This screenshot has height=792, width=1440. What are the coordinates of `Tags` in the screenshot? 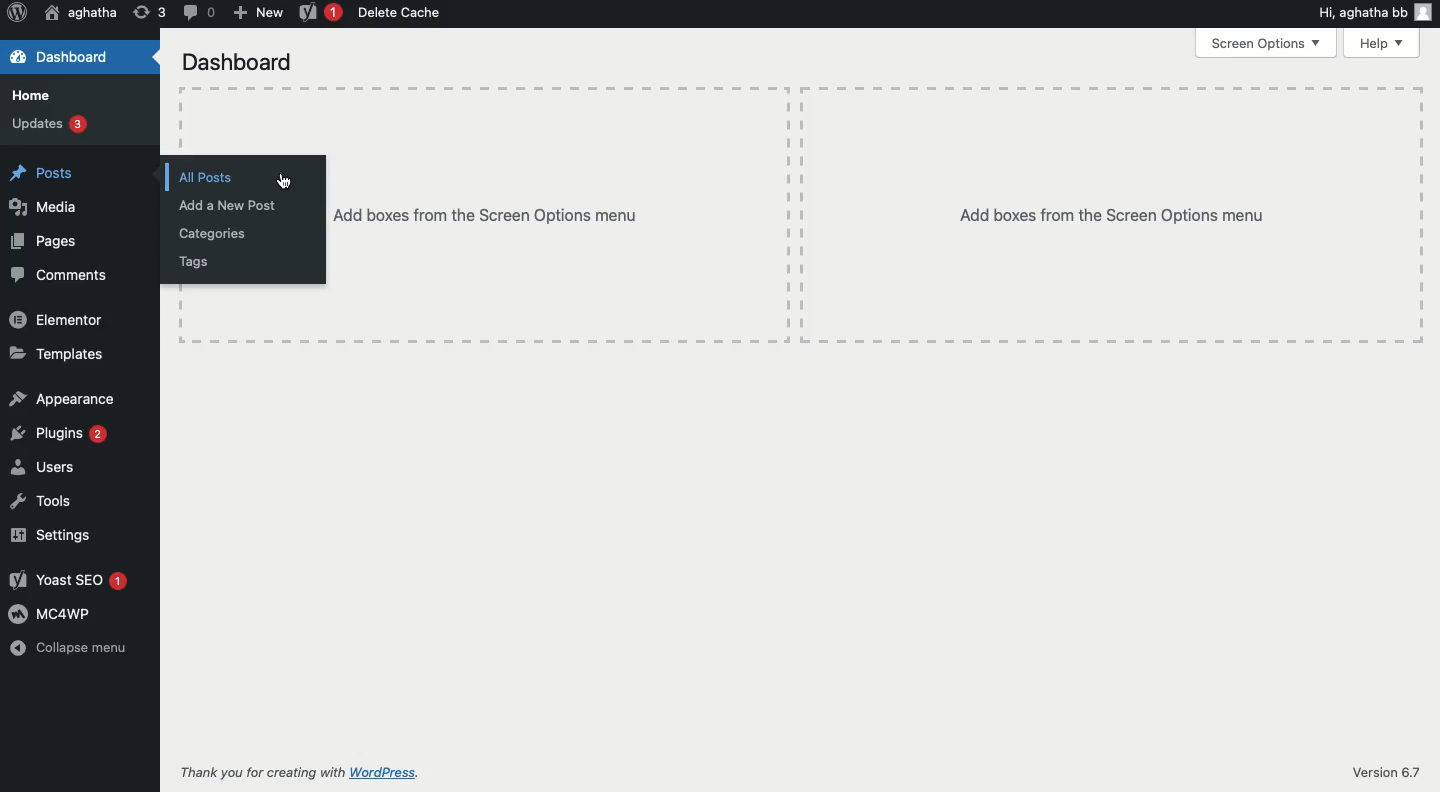 It's located at (194, 264).